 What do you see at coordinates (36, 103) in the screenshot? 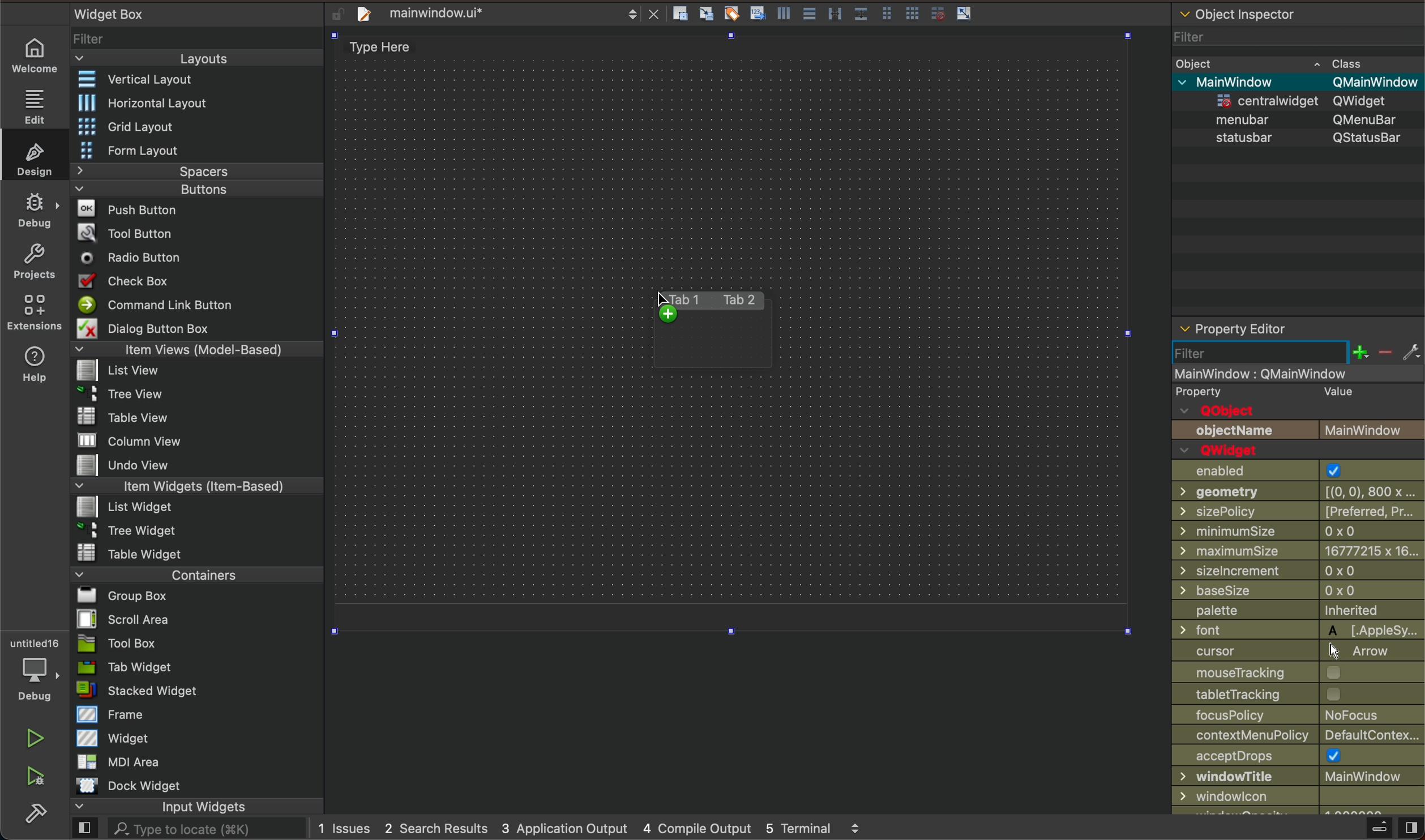
I see `edit` at bounding box center [36, 103].